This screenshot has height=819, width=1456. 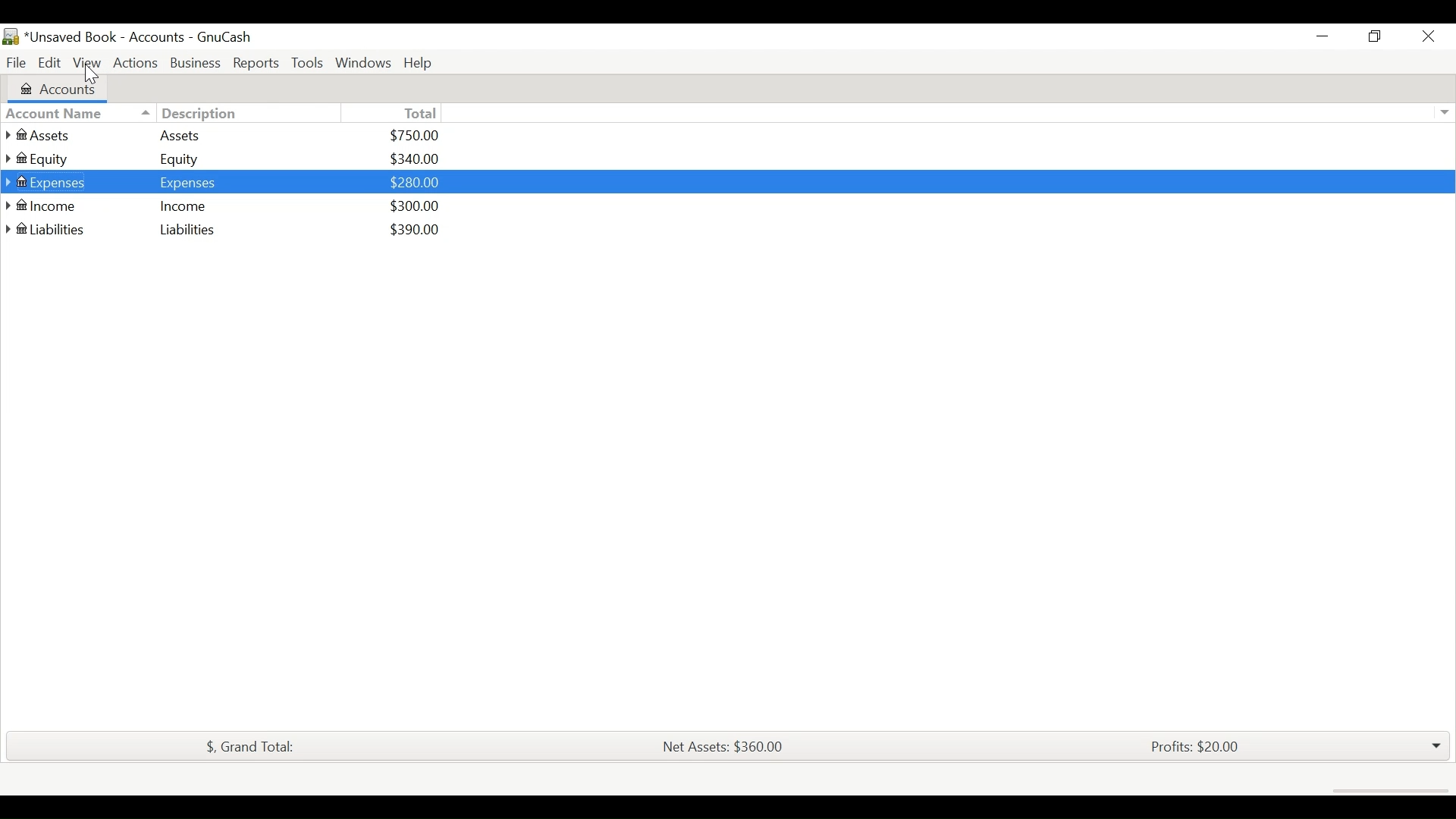 I want to click on Expenses, so click(x=187, y=182).